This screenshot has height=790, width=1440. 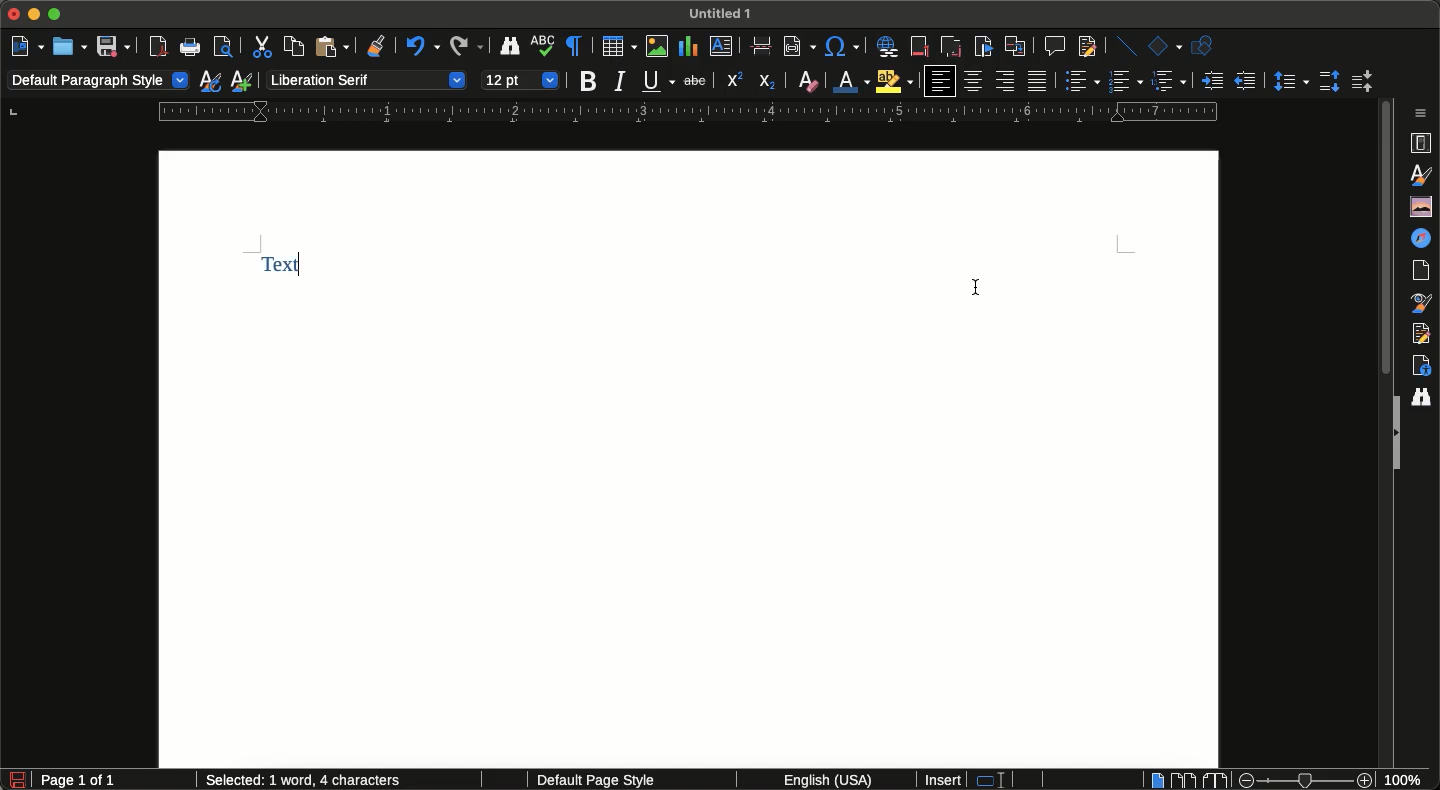 What do you see at coordinates (852, 79) in the screenshot?
I see `Selecting font color` at bounding box center [852, 79].